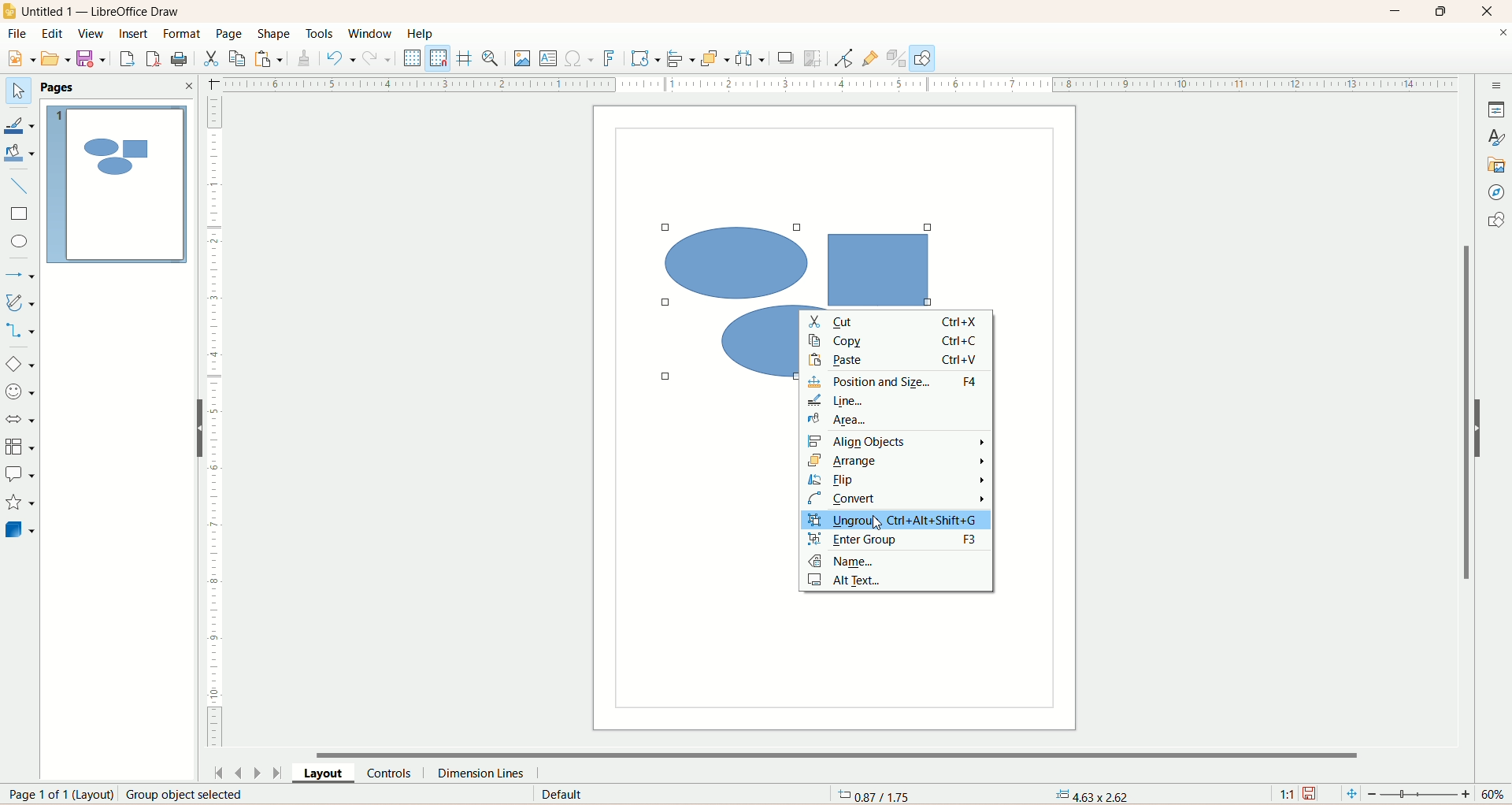 The image size is (1512, 805). What do you see at coordinates (20, 445) in the screenshot?
I see `flowchart` at bounding box center [20, 445].